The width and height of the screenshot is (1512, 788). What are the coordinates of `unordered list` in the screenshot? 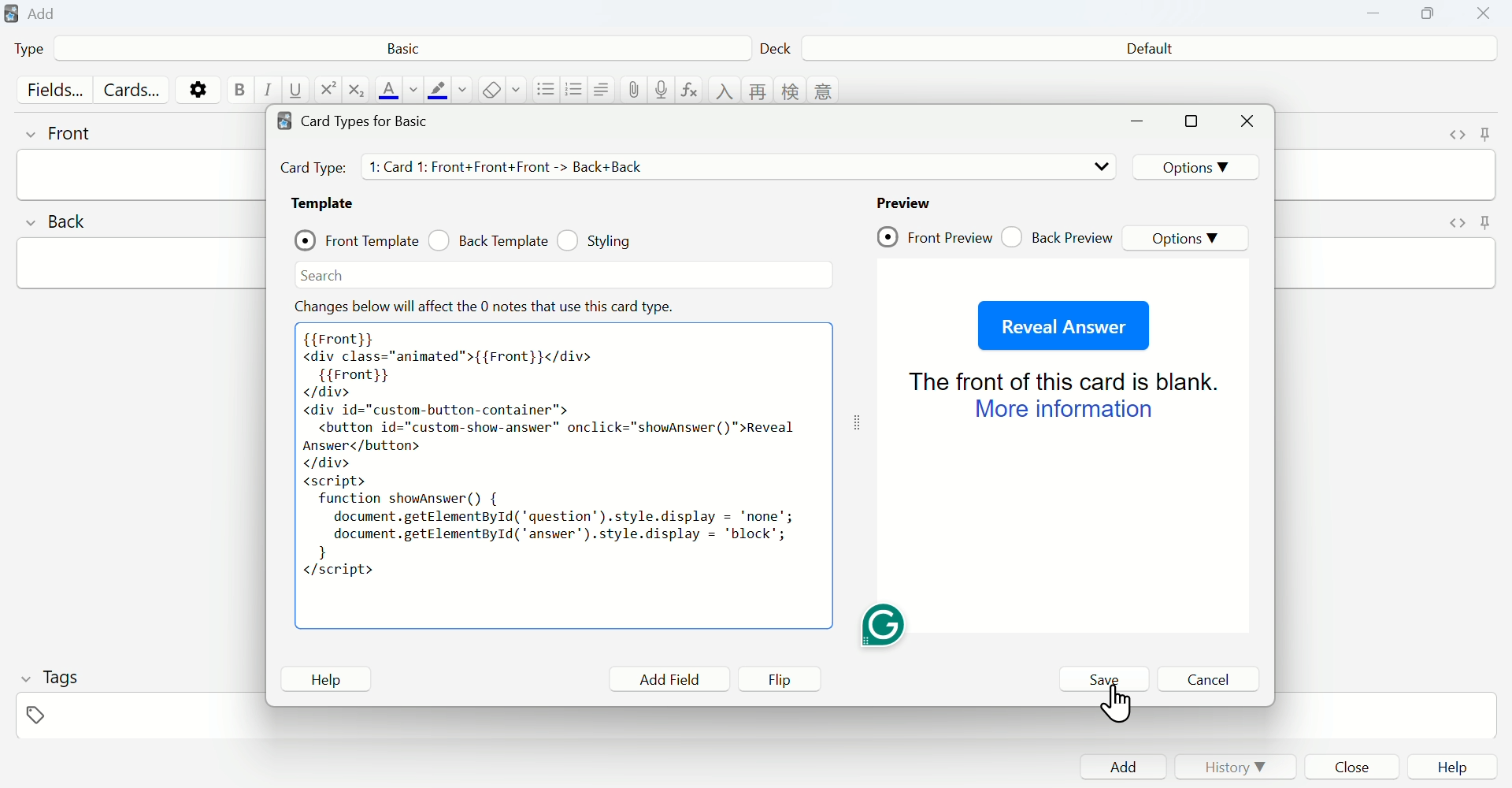 It's located at (545, 90).